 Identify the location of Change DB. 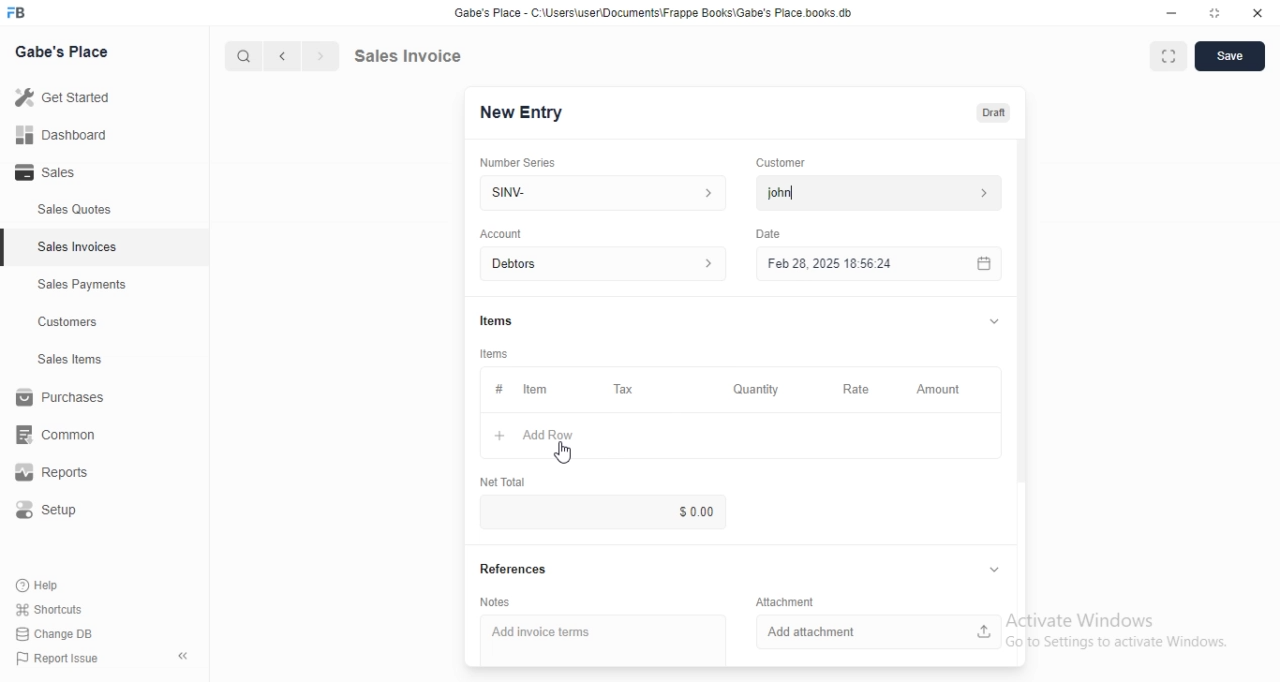
(58, 635).